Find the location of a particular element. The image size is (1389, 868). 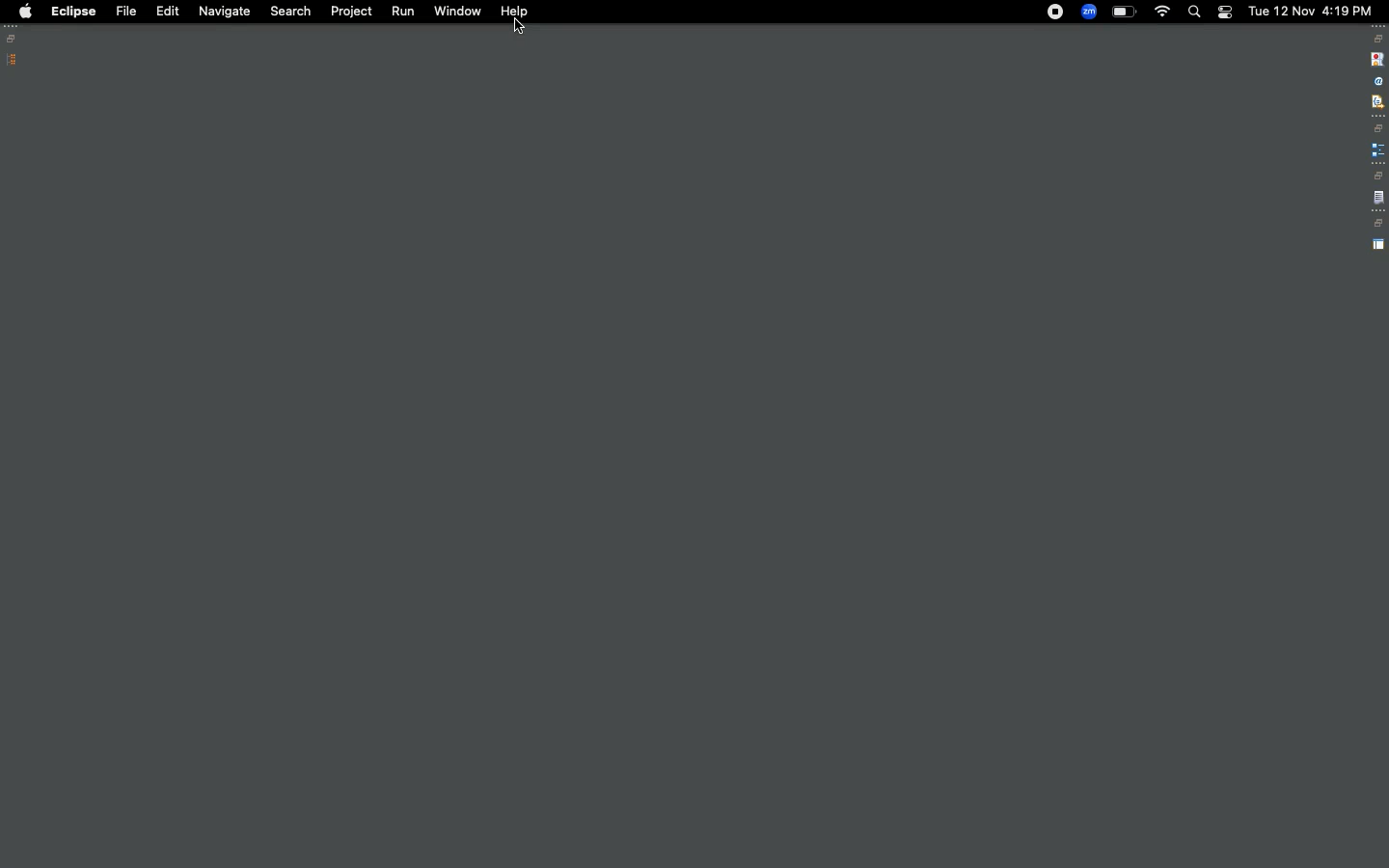

restore is located at coordinates (1377, 176).